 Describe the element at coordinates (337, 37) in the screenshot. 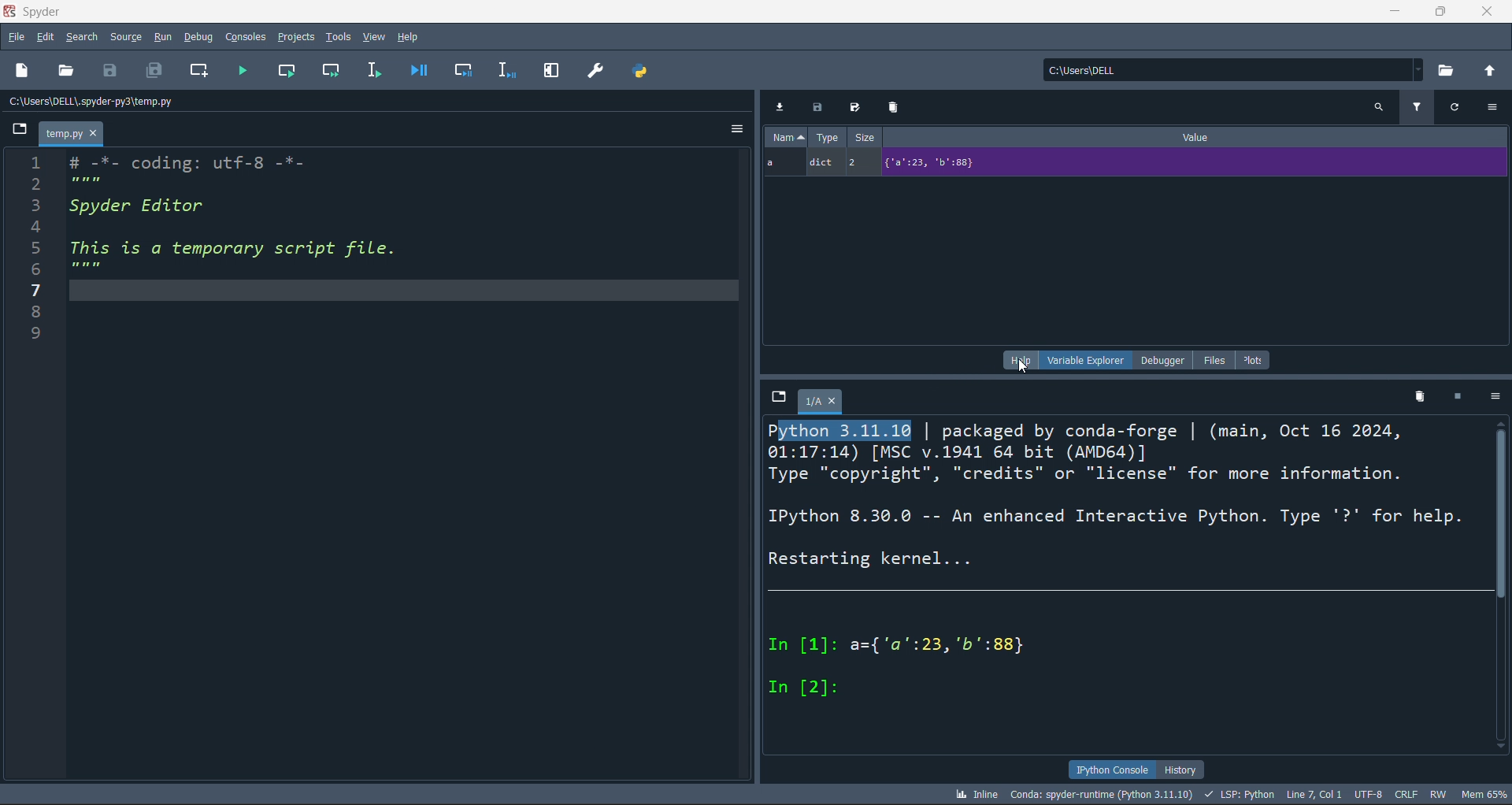

I see `tools` at that location.